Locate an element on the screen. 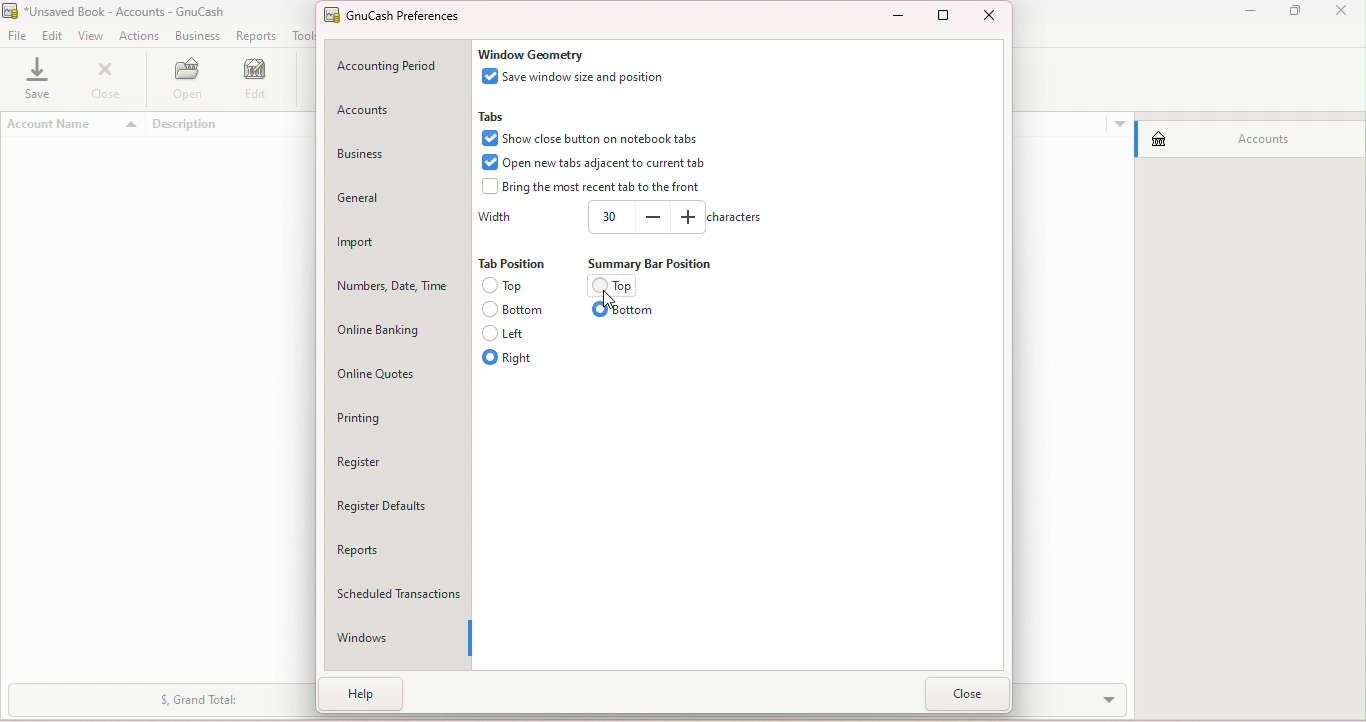  bring the most recent tab to the front is located at coordinates (591, 190).